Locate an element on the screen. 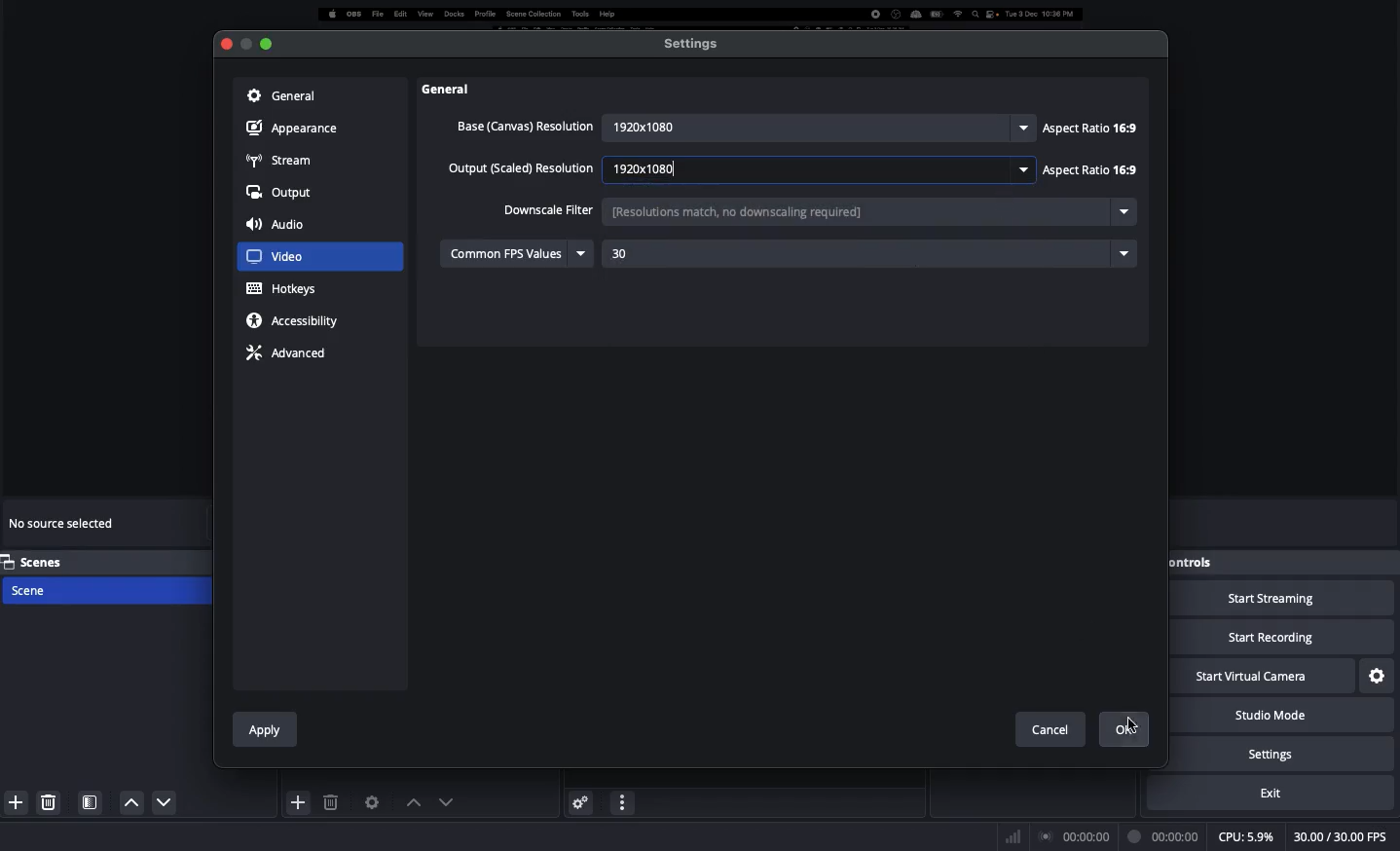  Hotkeys is located at coordinates (283, 289).